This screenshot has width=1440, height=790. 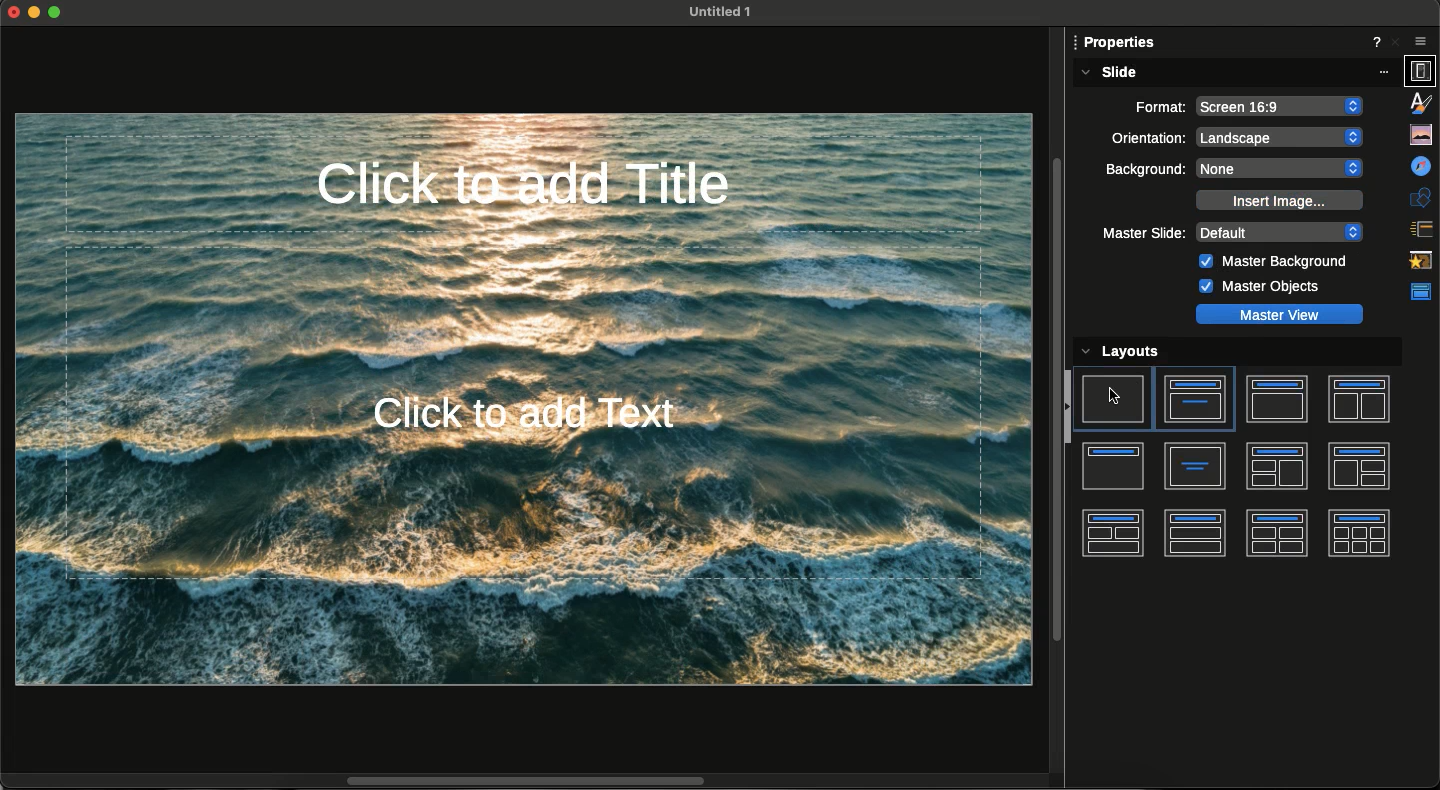 What do you see at coordinates (1422, 105) in the screenshot?
I see `Styles` at bounding box center [1422, 105].